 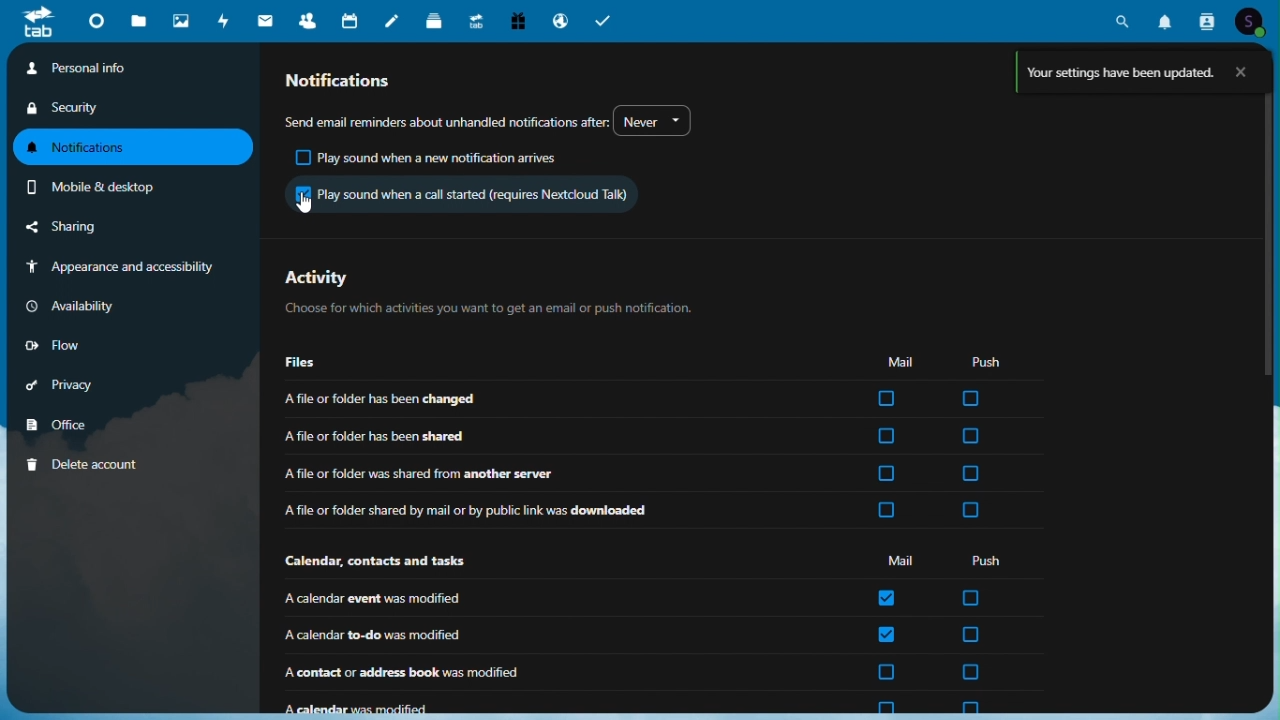 I want to click on check box, so click(x=885, y=437).